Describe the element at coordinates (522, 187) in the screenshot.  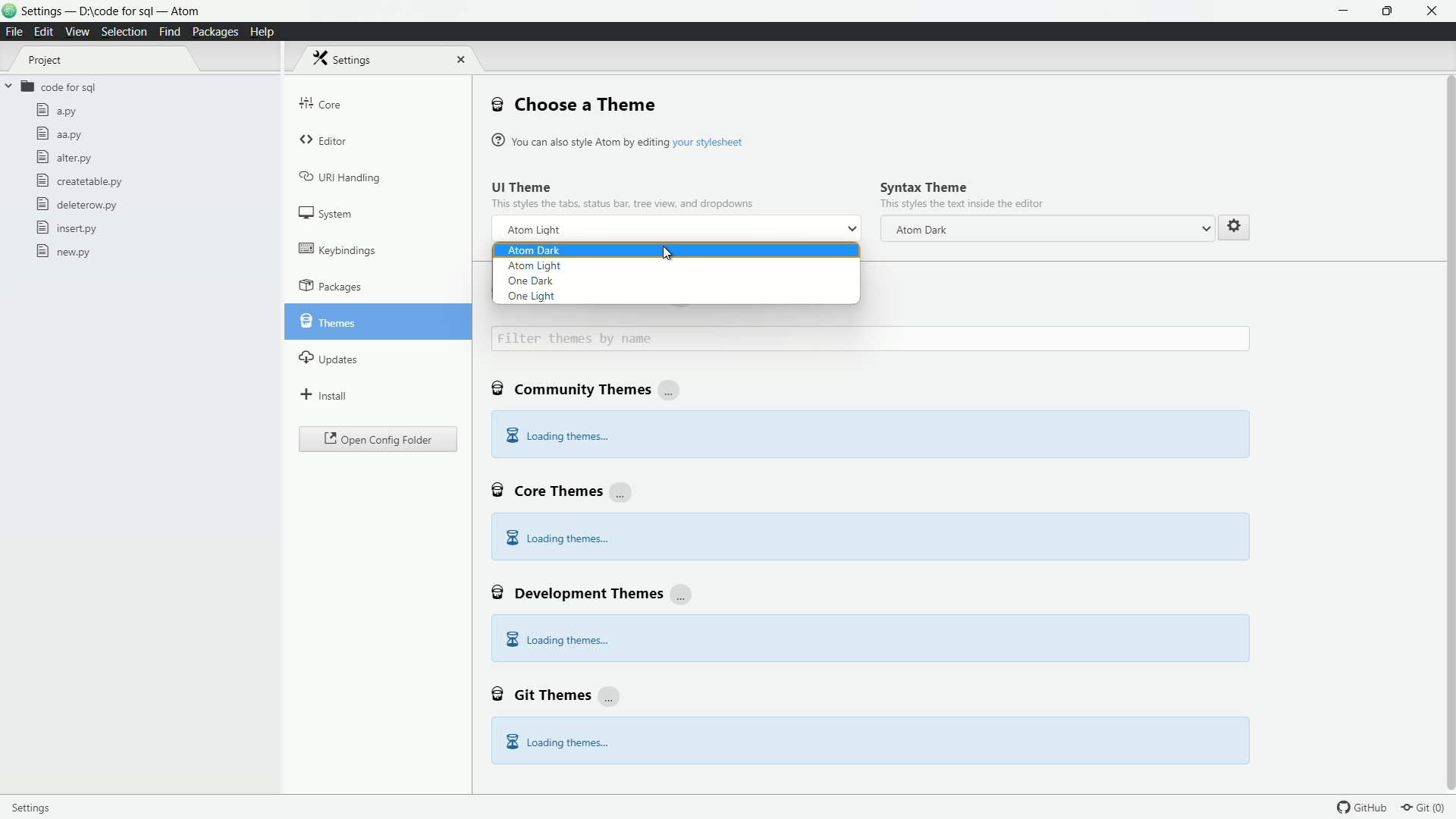
I see `ui theme` at that location.